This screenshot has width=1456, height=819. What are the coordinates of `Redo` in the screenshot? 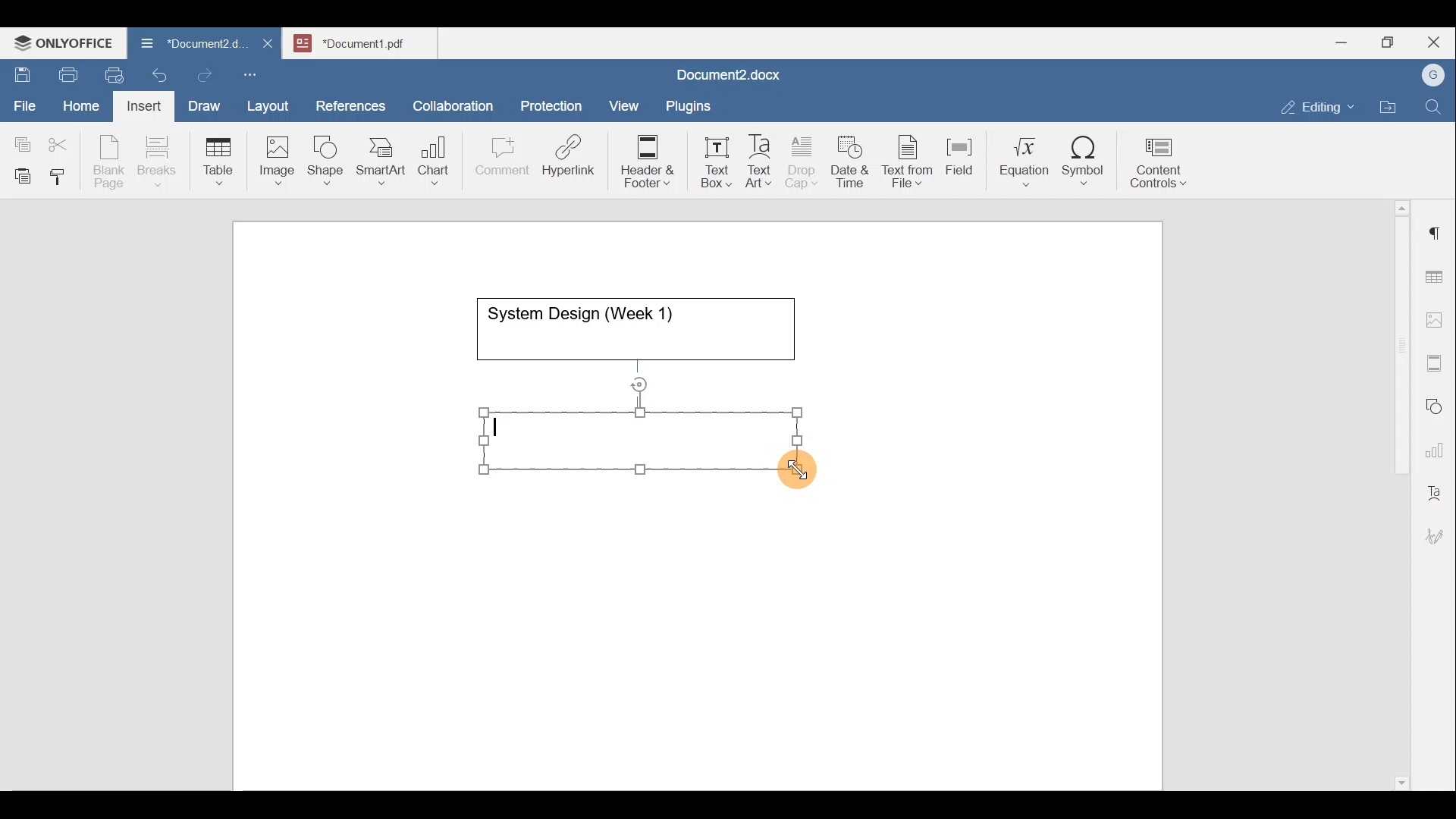 It's located at (204, 76).